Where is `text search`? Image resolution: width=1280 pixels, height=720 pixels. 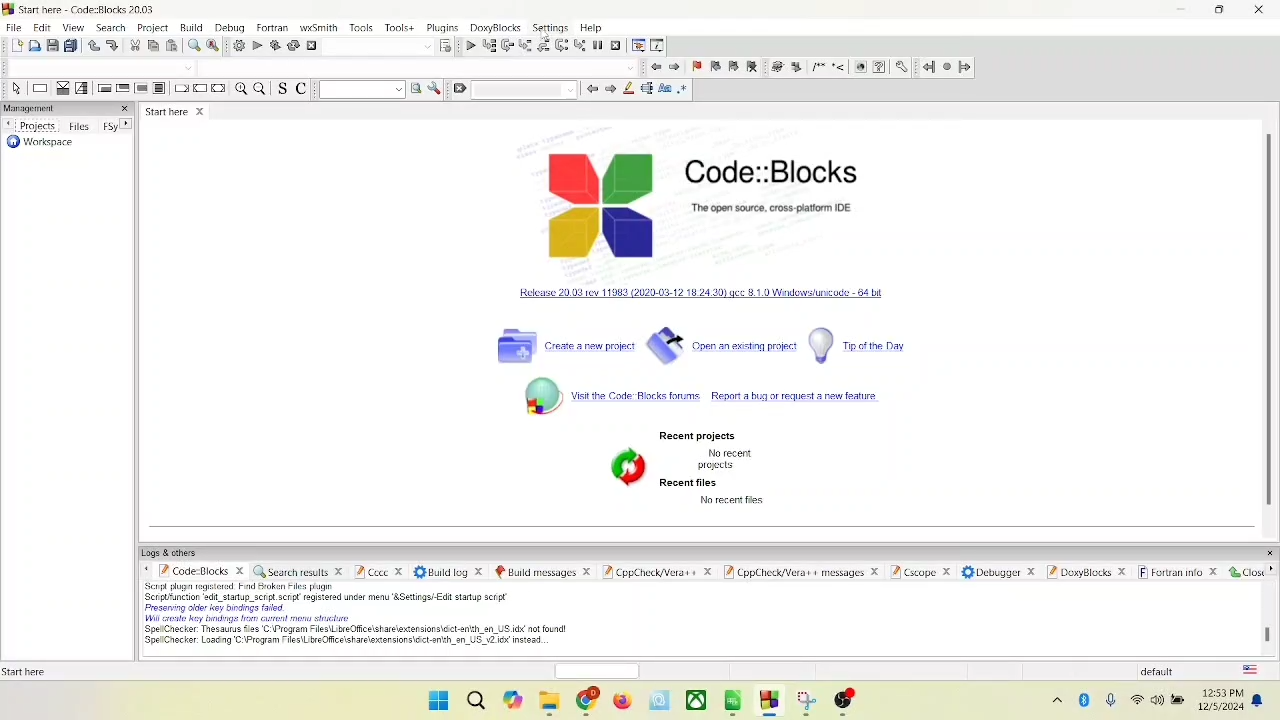
text search is located at coordinates (359, 91).